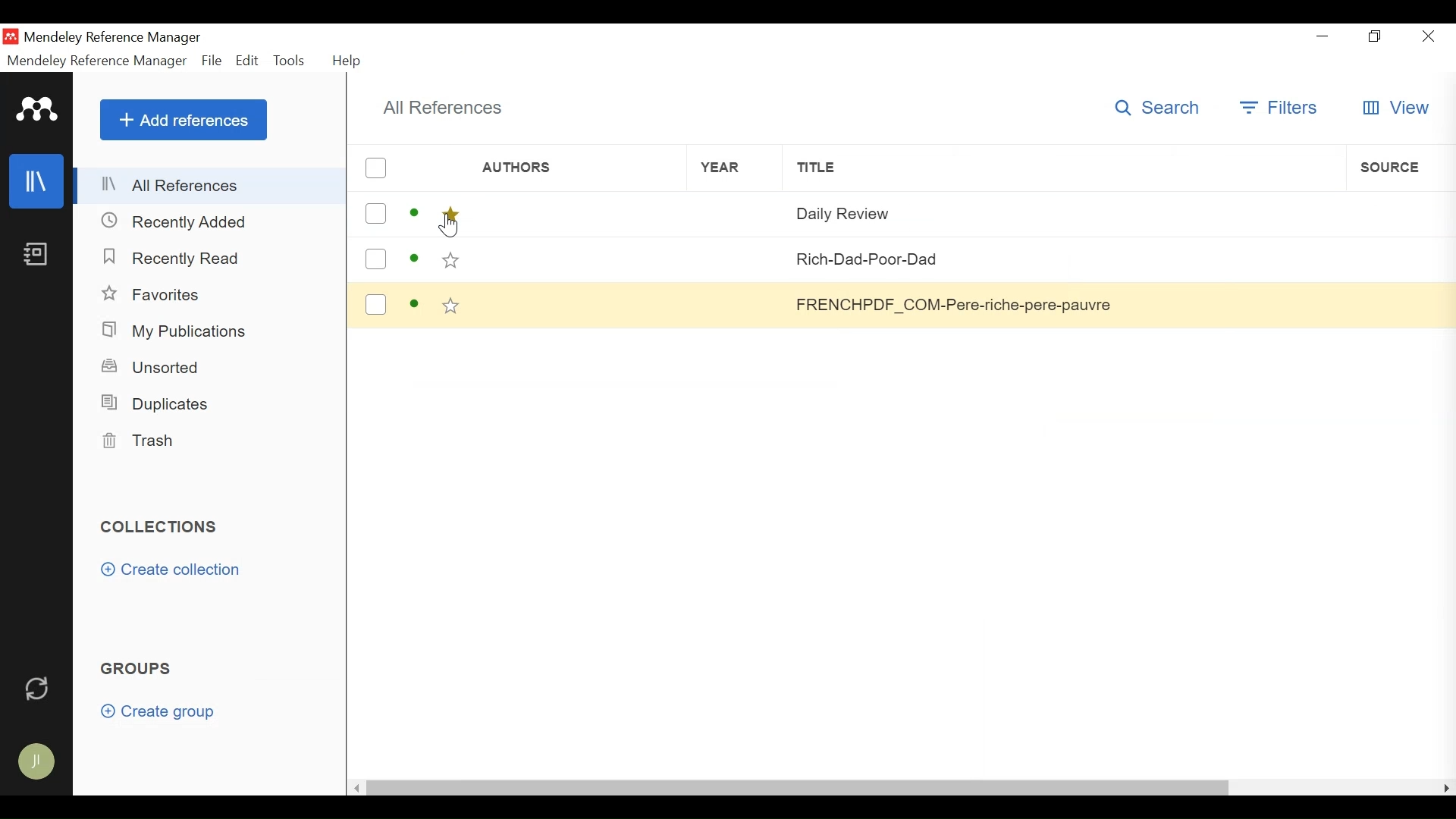  I want to click on Favorites, so click(154, 295).